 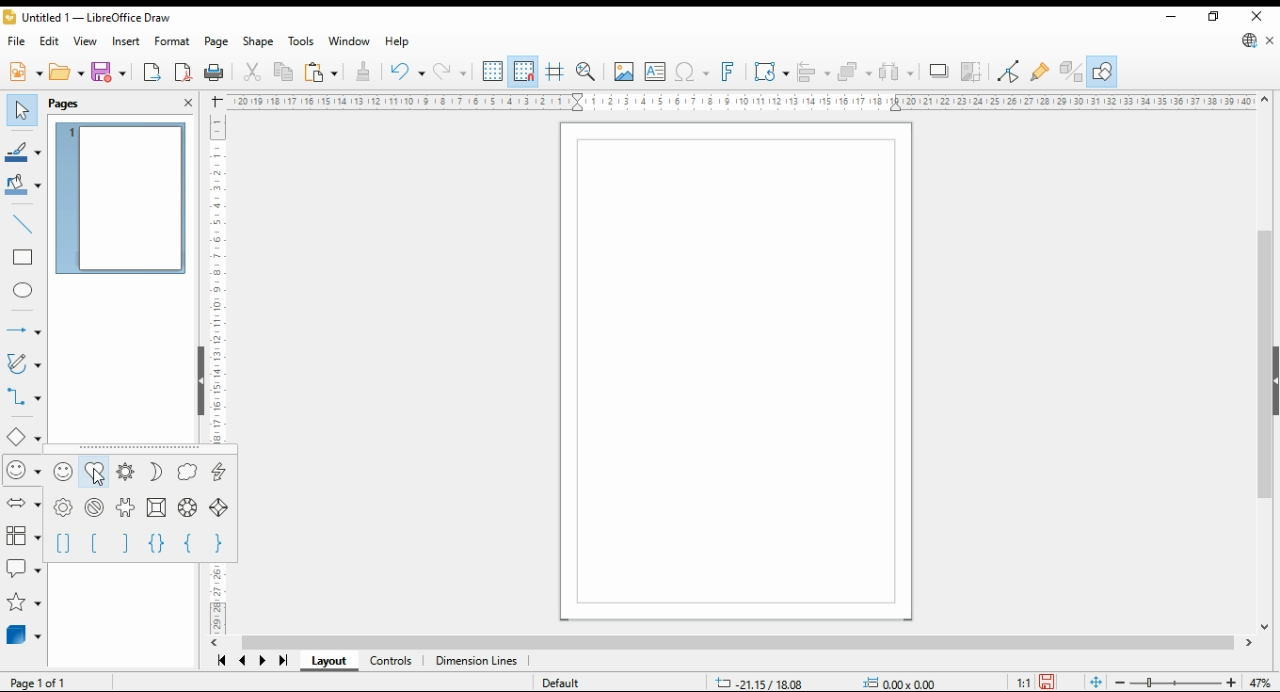 I want to click on export as pdf, so click(x=184, y=72).